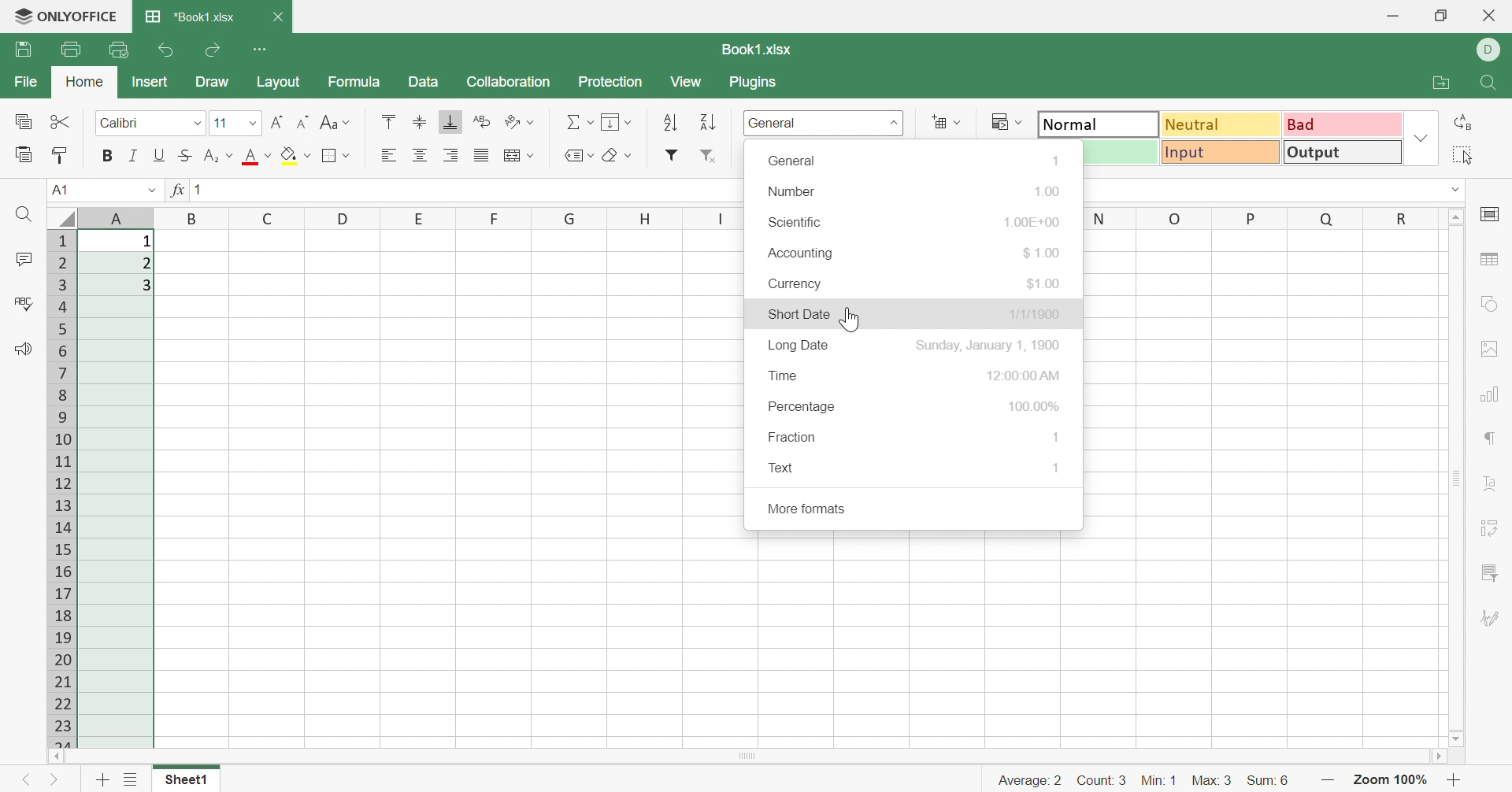  I want to click on Zoom in, so click(1456, 779).